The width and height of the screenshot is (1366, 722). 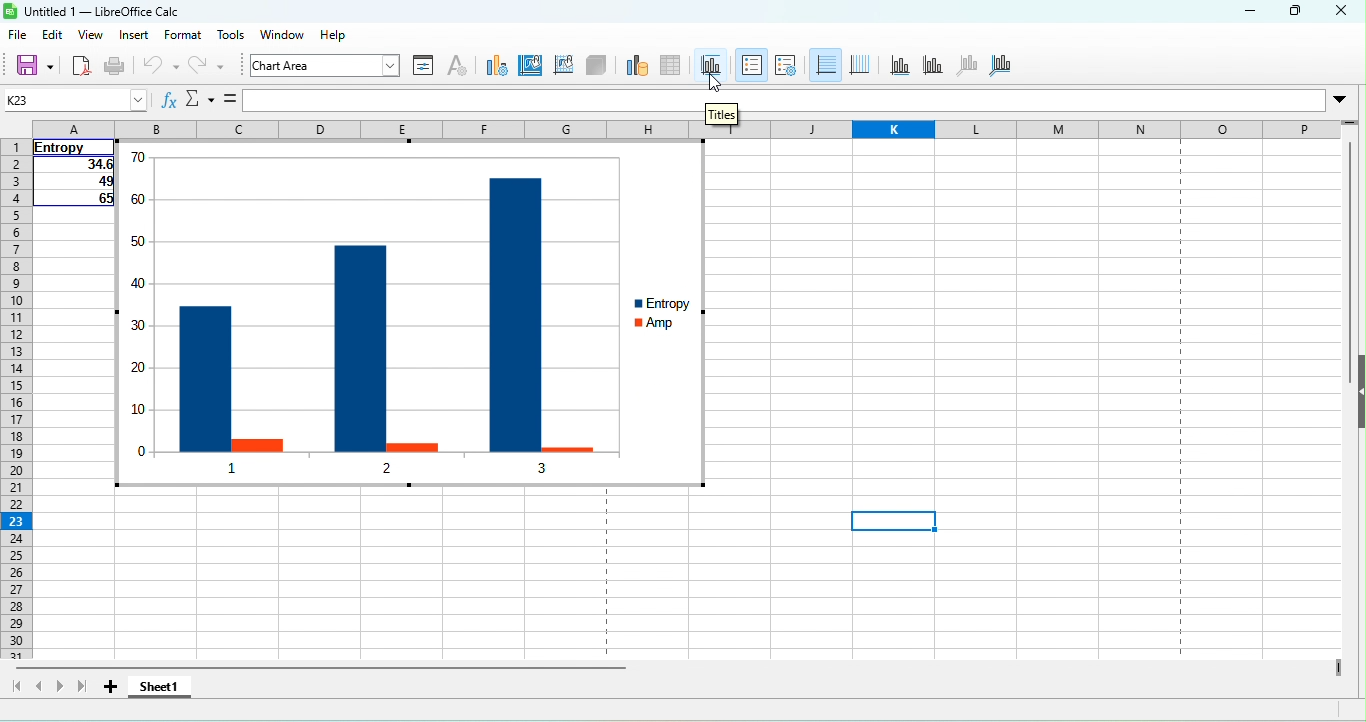 I want to click on select function, so click(x=197, y=101).